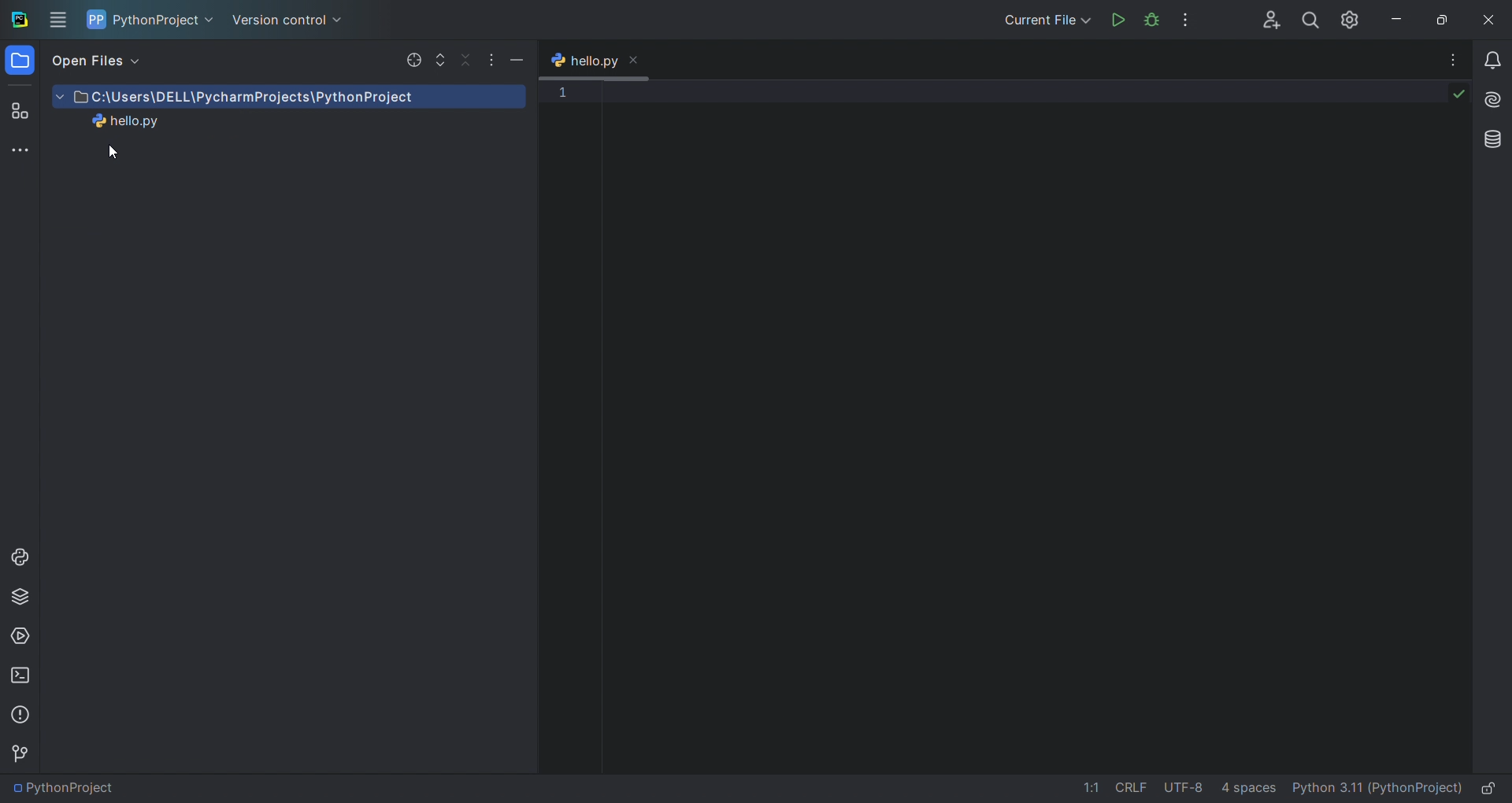 The width and height of the screenshot is (1512, 803). I want to click on version control, so click(22, 753).